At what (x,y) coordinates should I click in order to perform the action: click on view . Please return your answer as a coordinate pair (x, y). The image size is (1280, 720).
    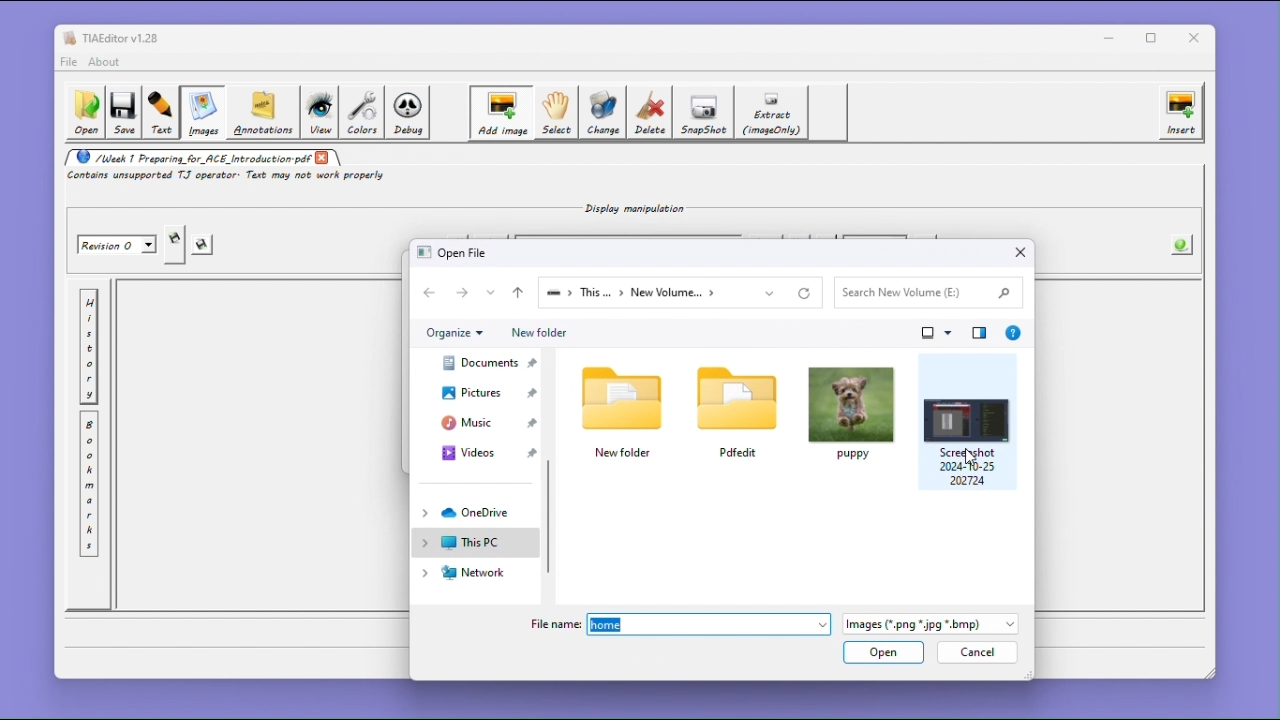
    Looking at the image, I should click on (319, 113).